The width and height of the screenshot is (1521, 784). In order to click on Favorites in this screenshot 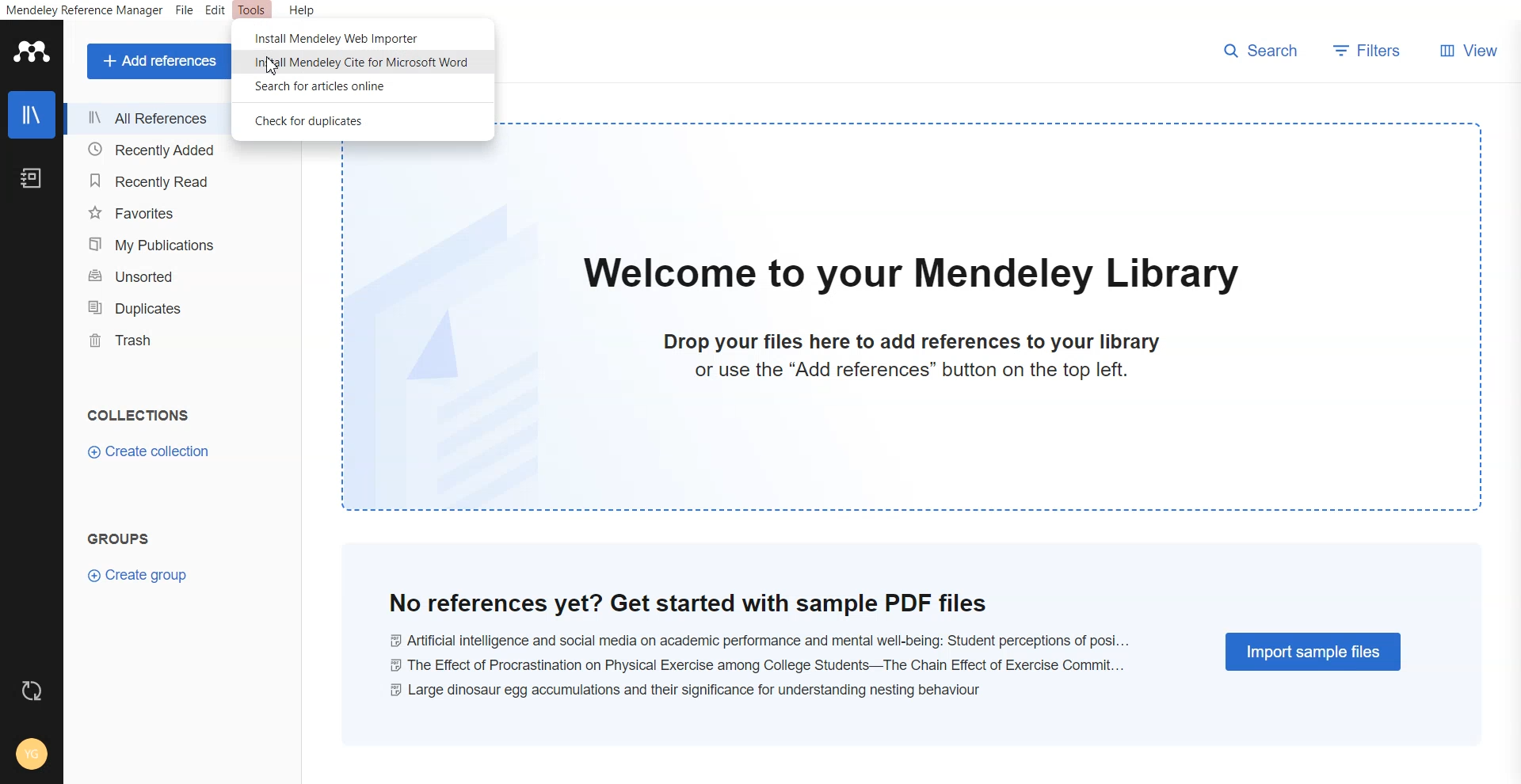, I will do `click(182, 212)`.